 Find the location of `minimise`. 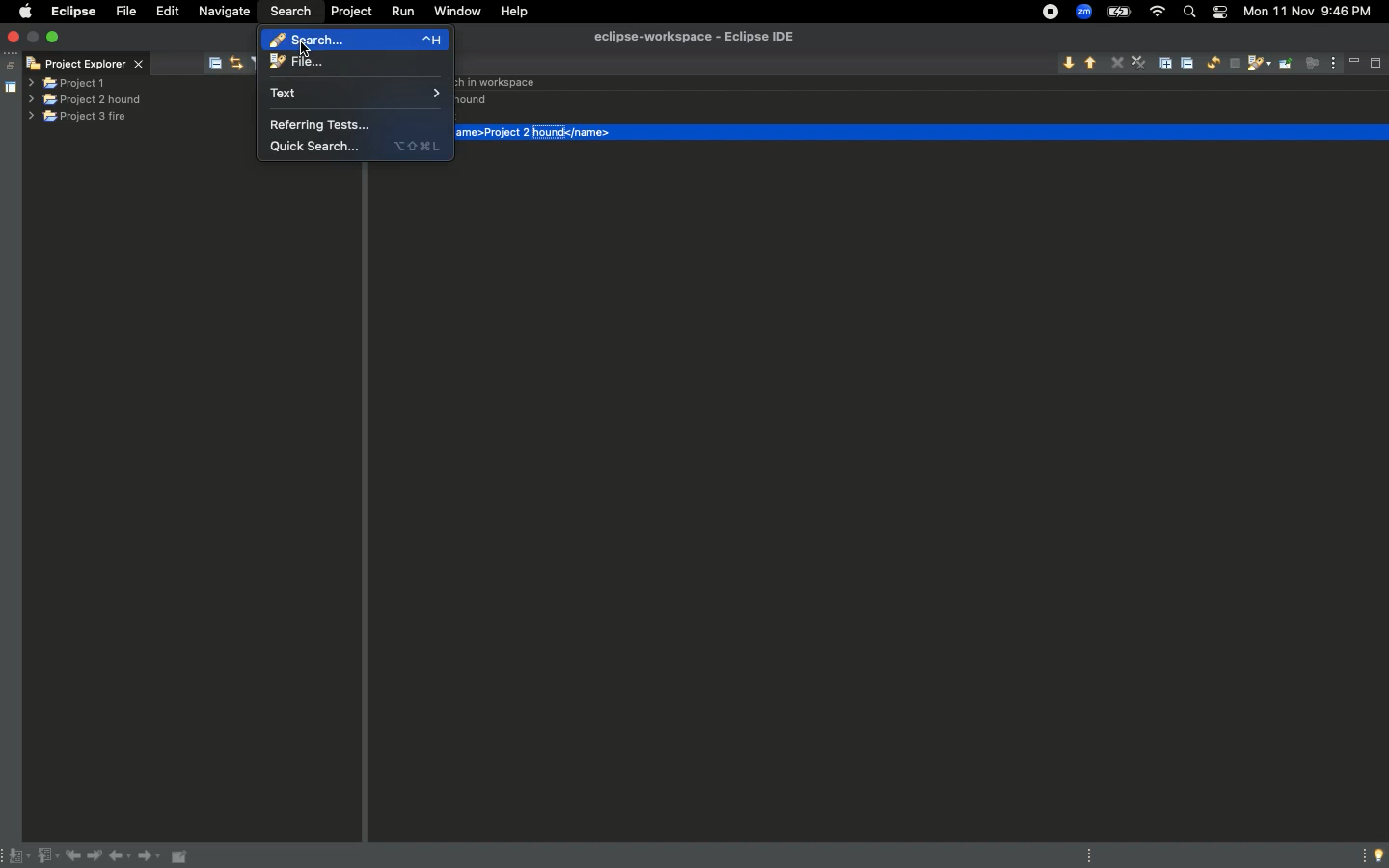

minimise is located at coordinates (1355, 60).